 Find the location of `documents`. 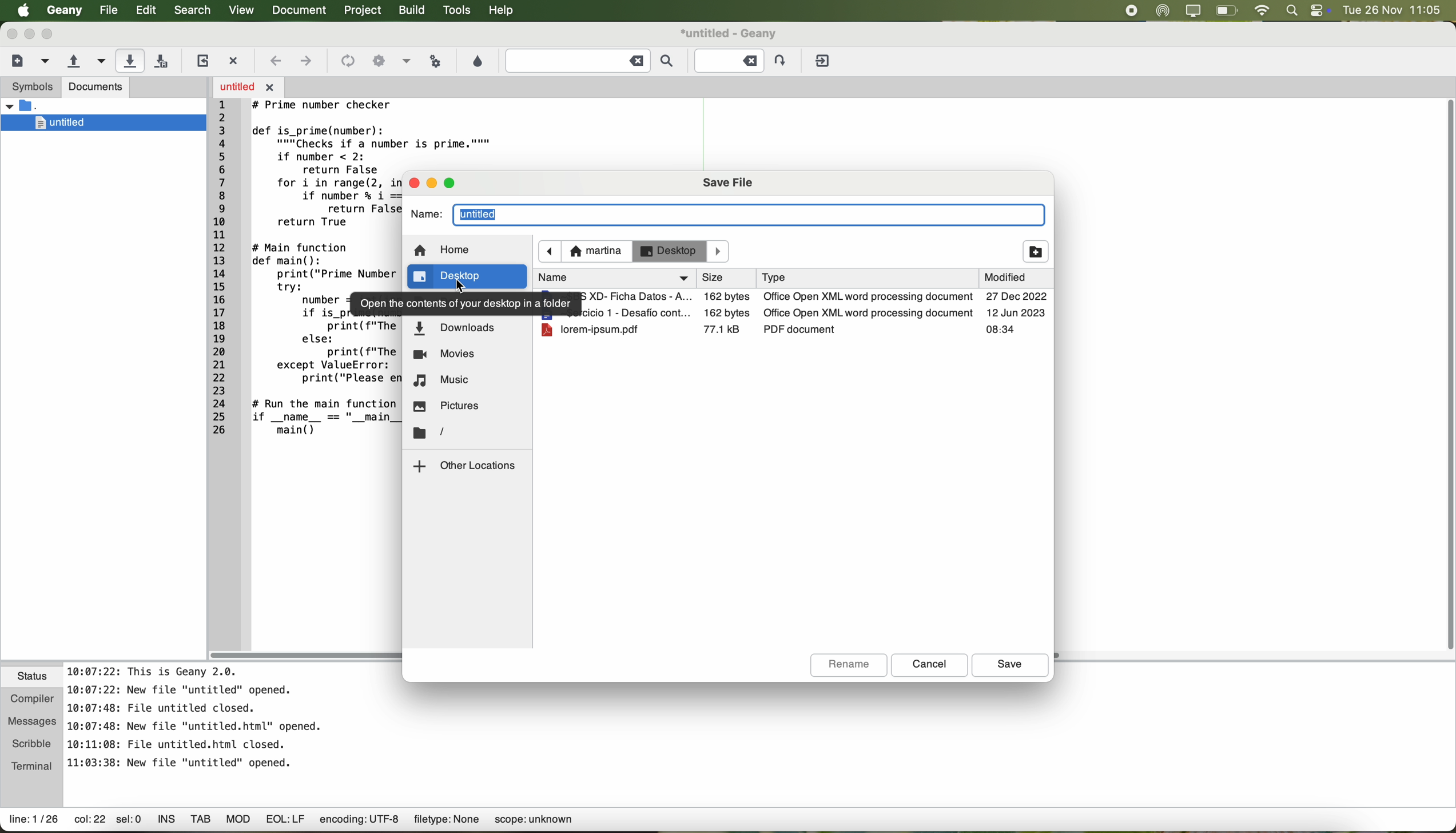

documents is located at coordinates (97, 88).